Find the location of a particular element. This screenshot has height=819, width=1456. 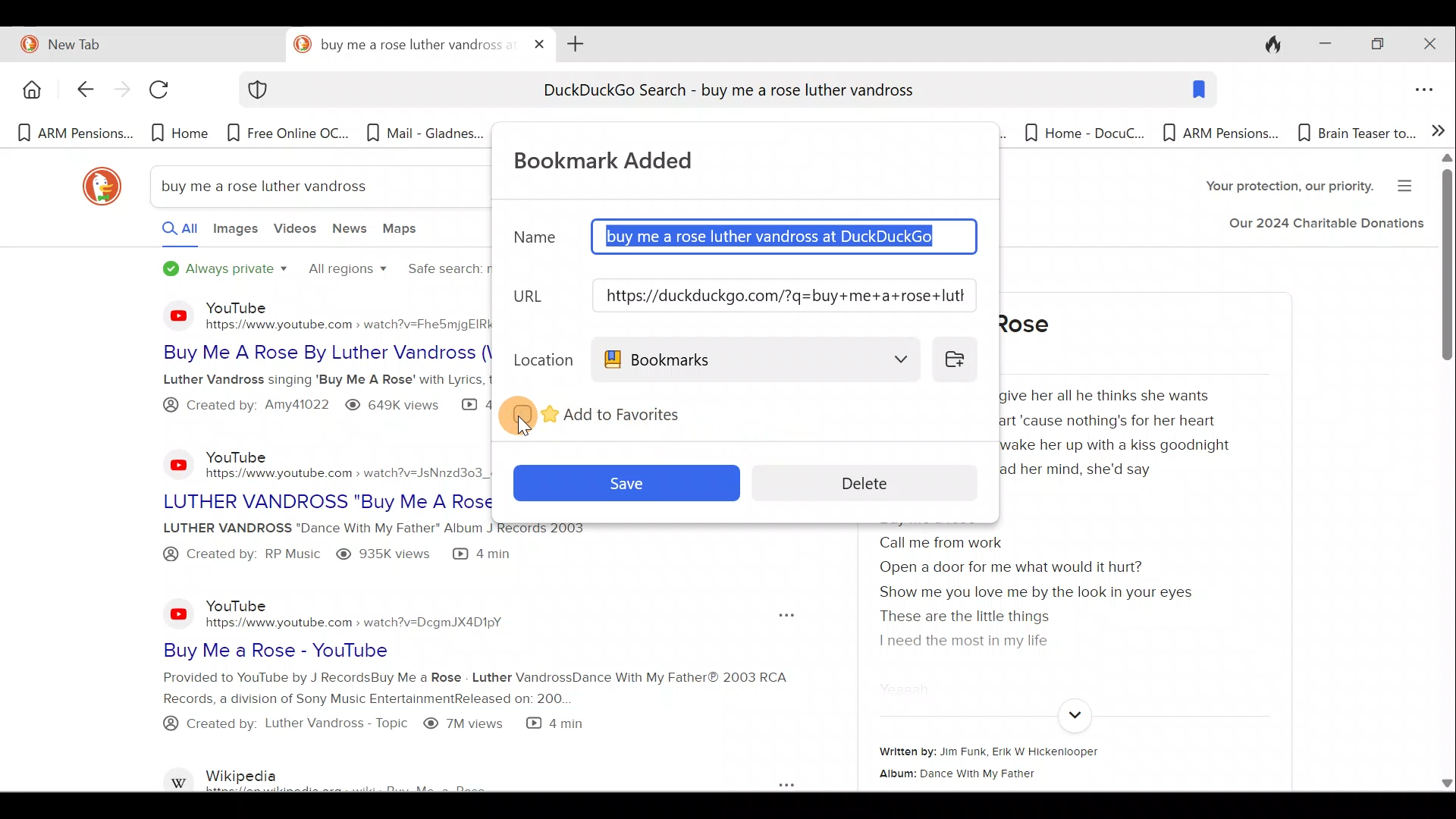

Buy Me a Rose - YouTube is located at coordinates (397, 650).